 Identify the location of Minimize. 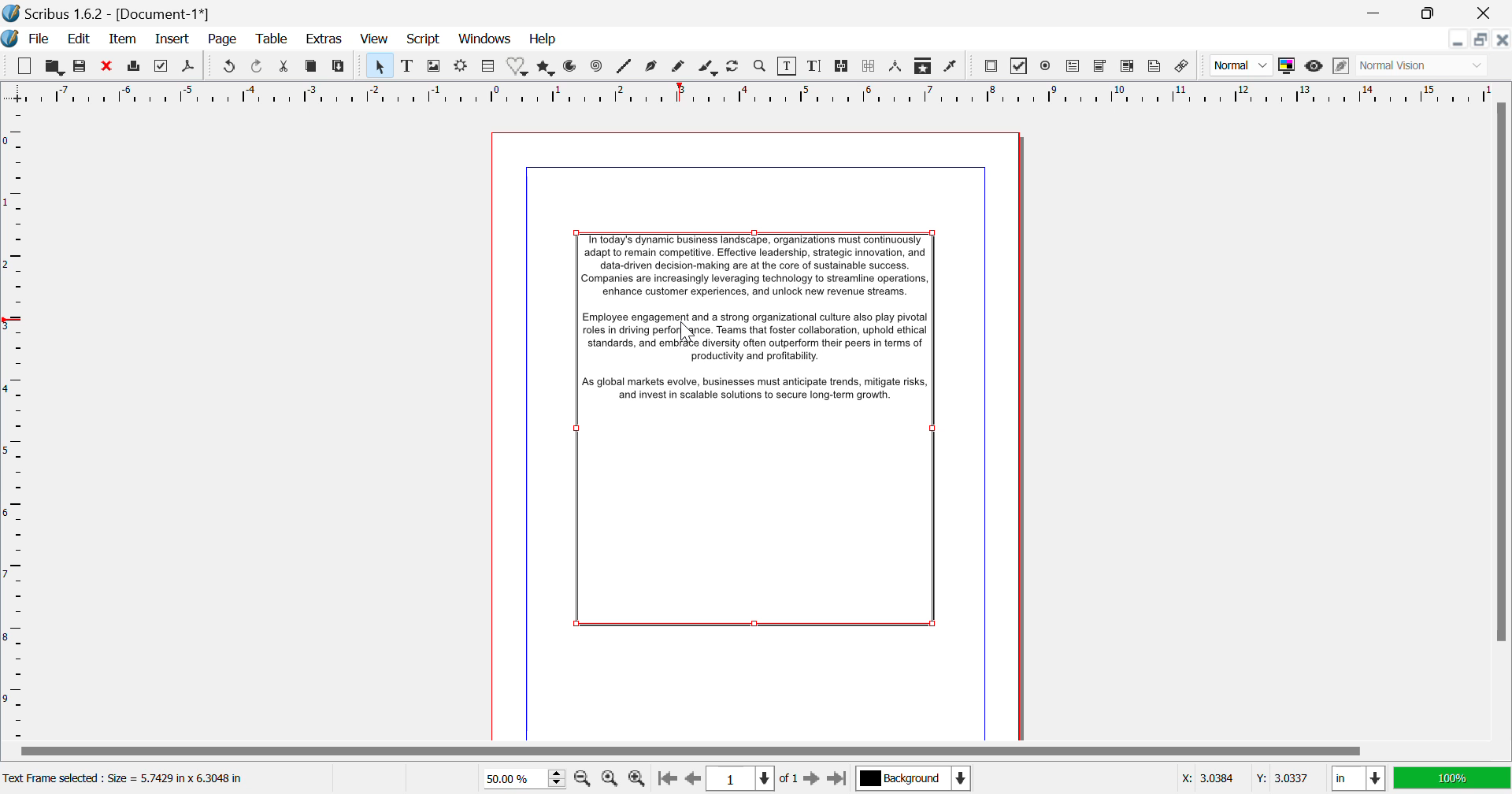
(1431, 13).